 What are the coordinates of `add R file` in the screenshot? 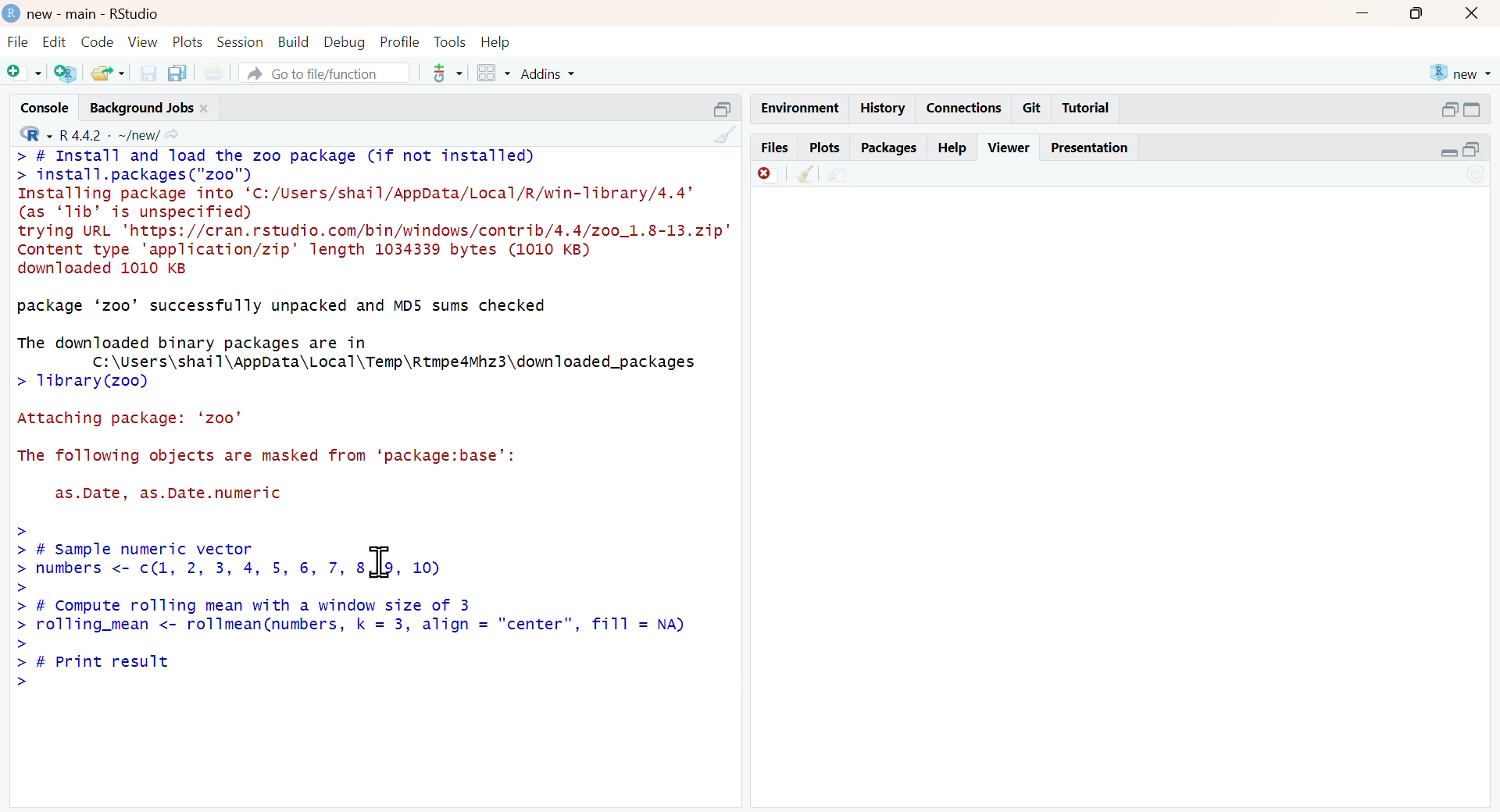 It's located at (67, 72).